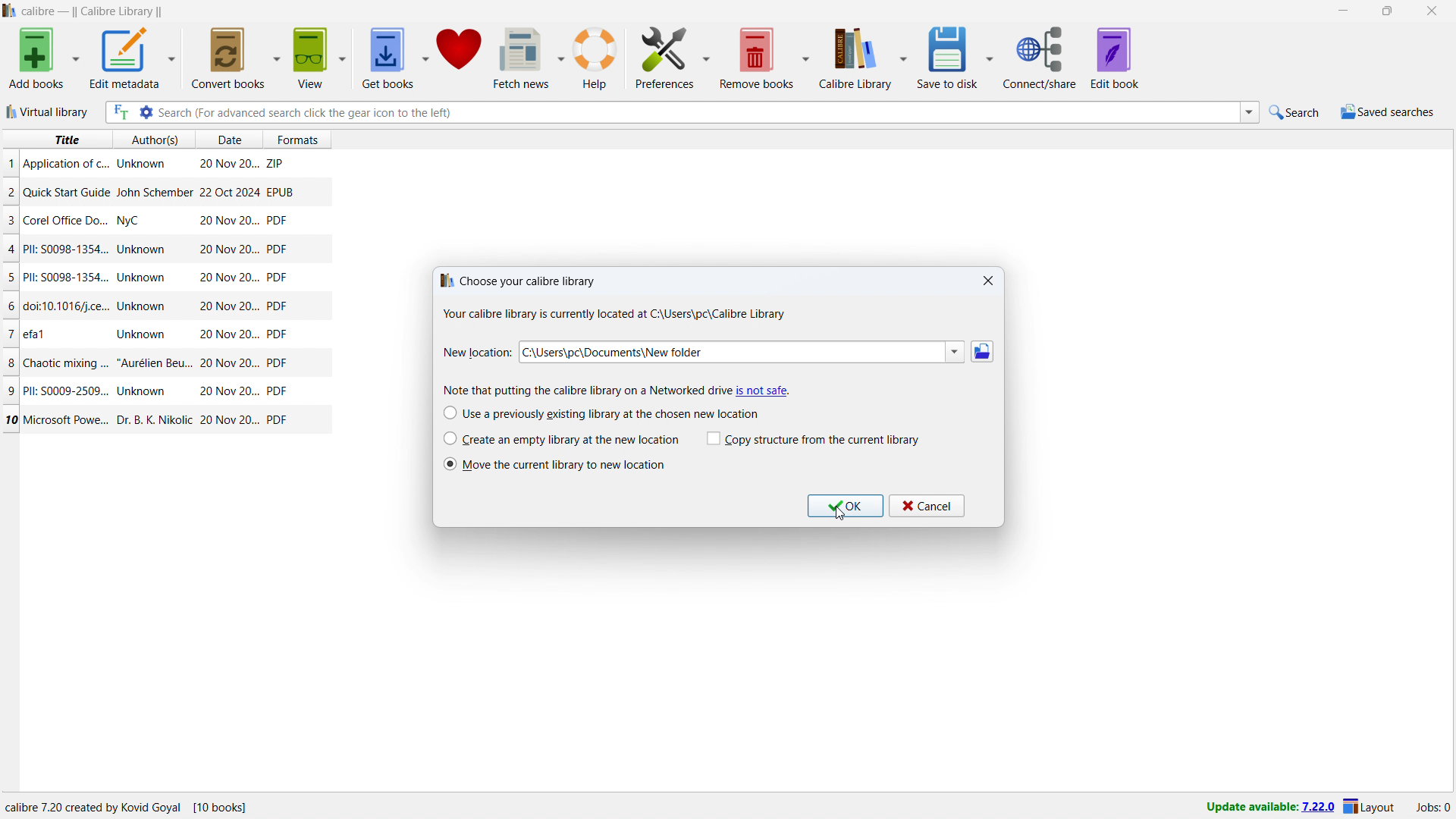 The image size is (1456, 819). I want to click on create an empty library at the new location, so click(561, 438).